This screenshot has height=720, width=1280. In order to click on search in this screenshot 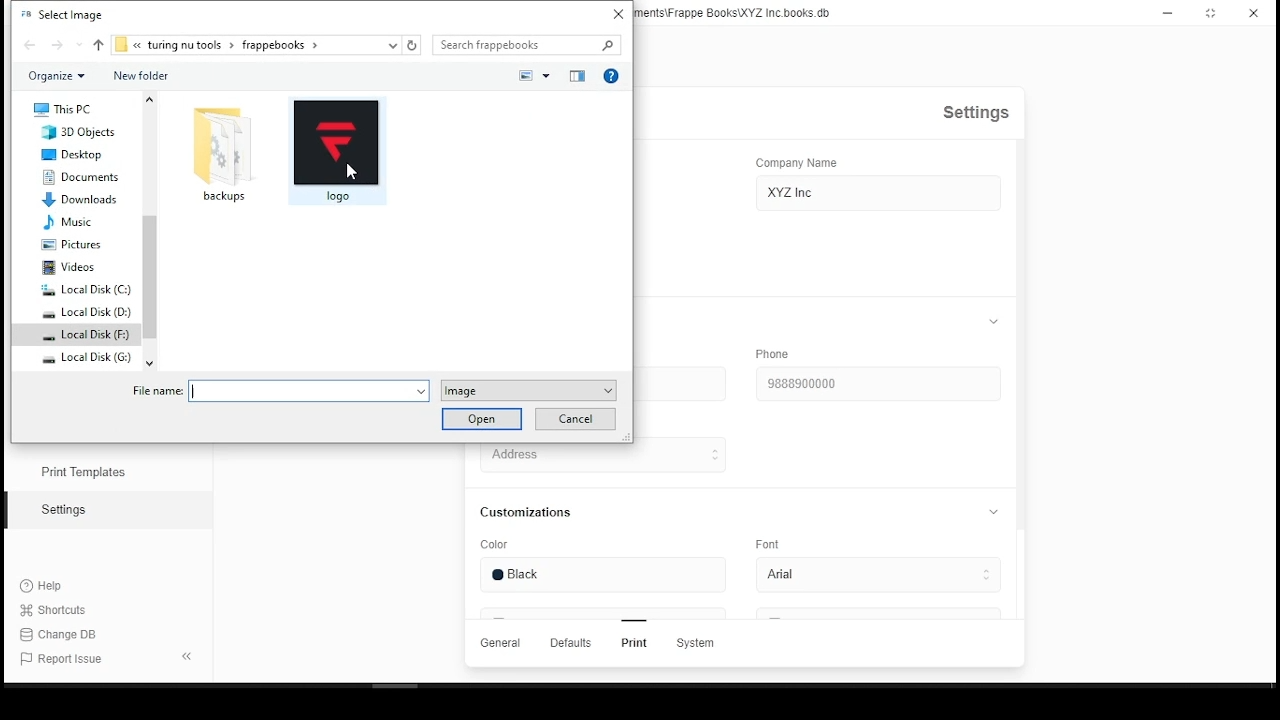, I will do `click(528, 46)`.